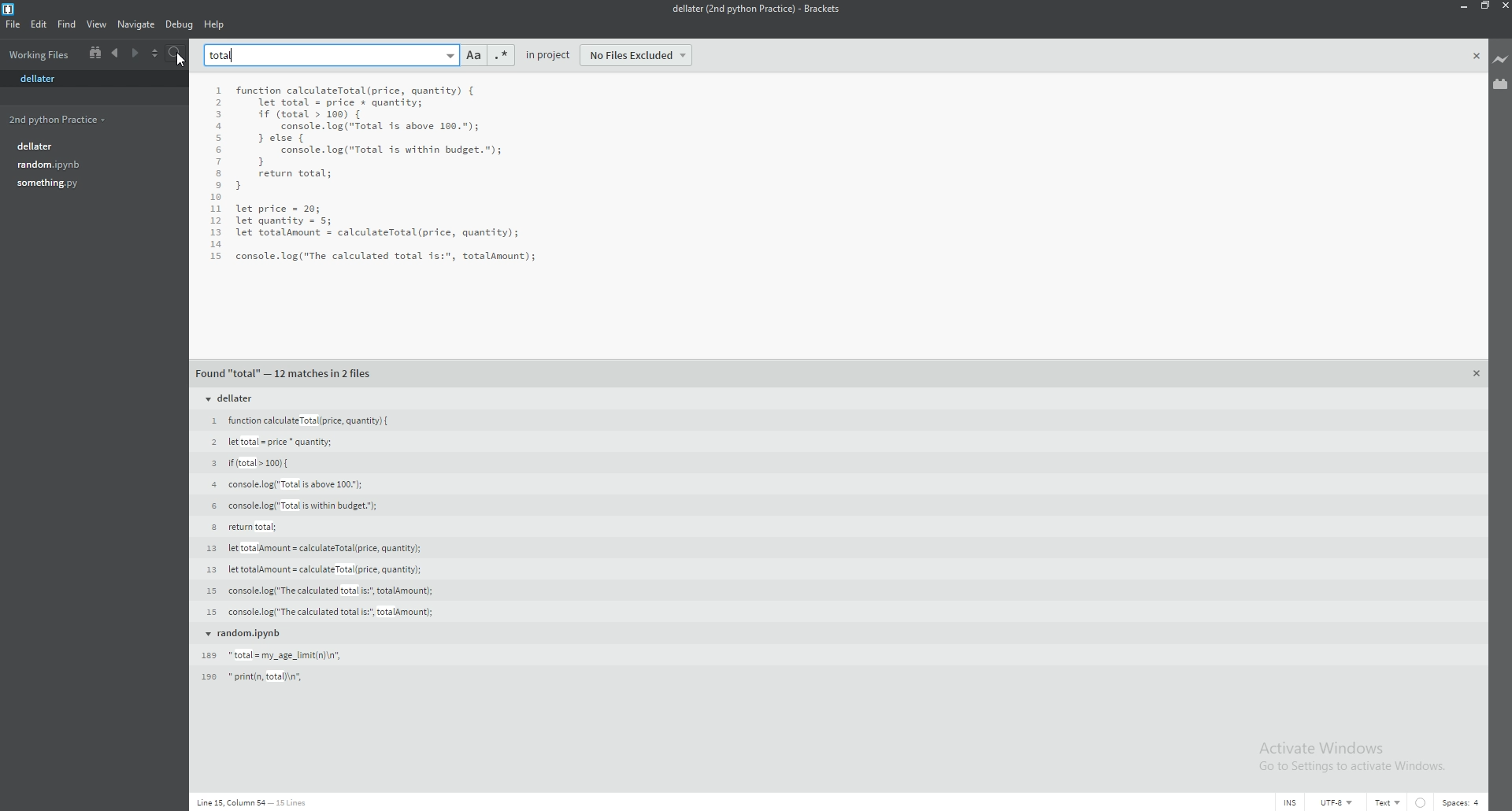 The width and height of the screenshot is (1512, 811). What do you see at coordinates (254, 802) in the screenshot?
I see `line 15, column 54 - 15 lines` at bounding box center [254, 802].